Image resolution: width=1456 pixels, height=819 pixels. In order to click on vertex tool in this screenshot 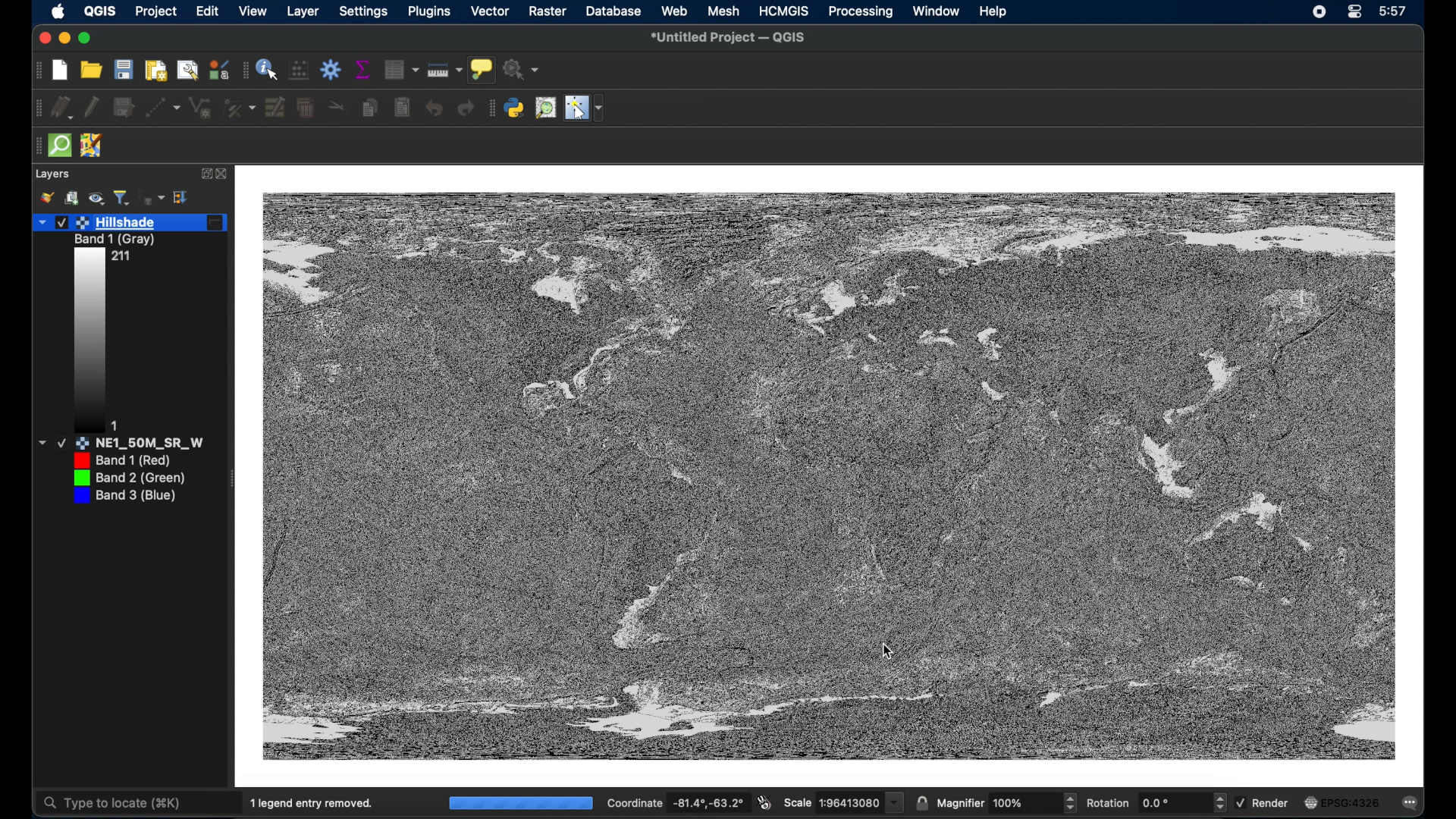, I will do `click(239, 108)`.